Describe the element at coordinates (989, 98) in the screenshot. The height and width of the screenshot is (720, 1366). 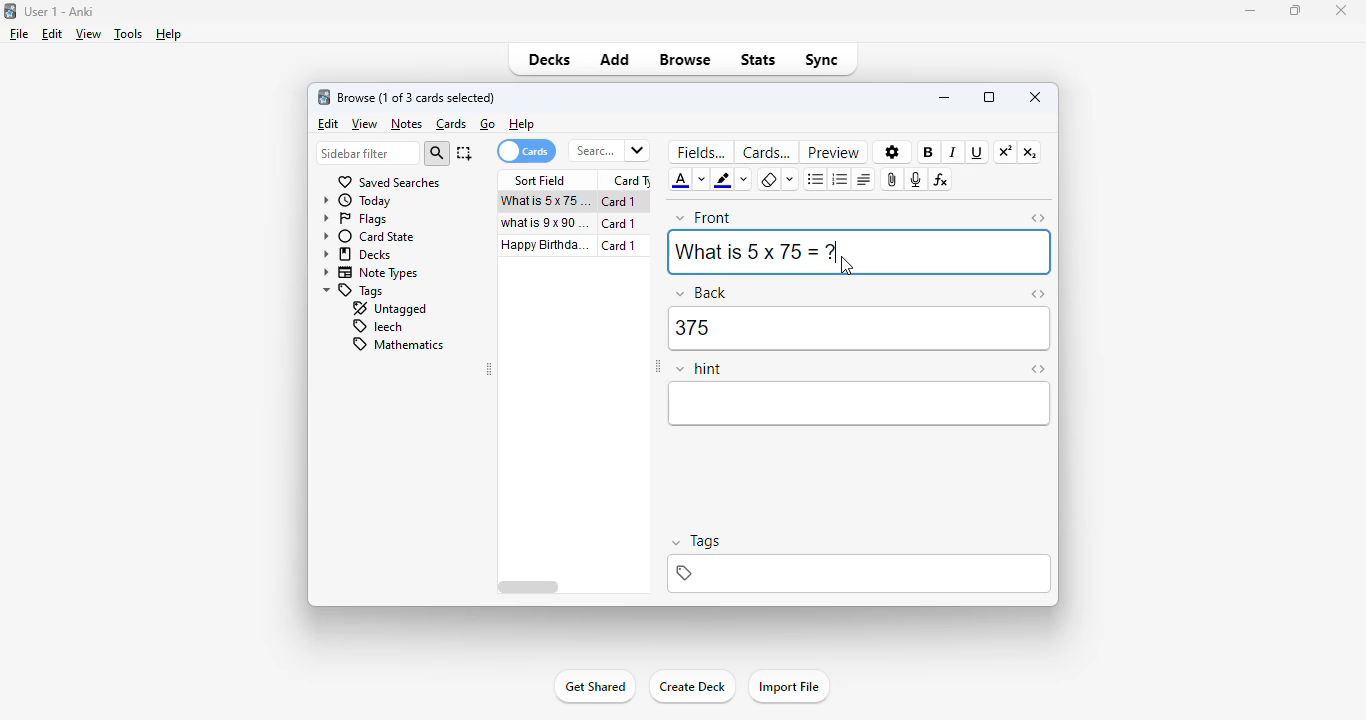
I see `maximize` at that location.